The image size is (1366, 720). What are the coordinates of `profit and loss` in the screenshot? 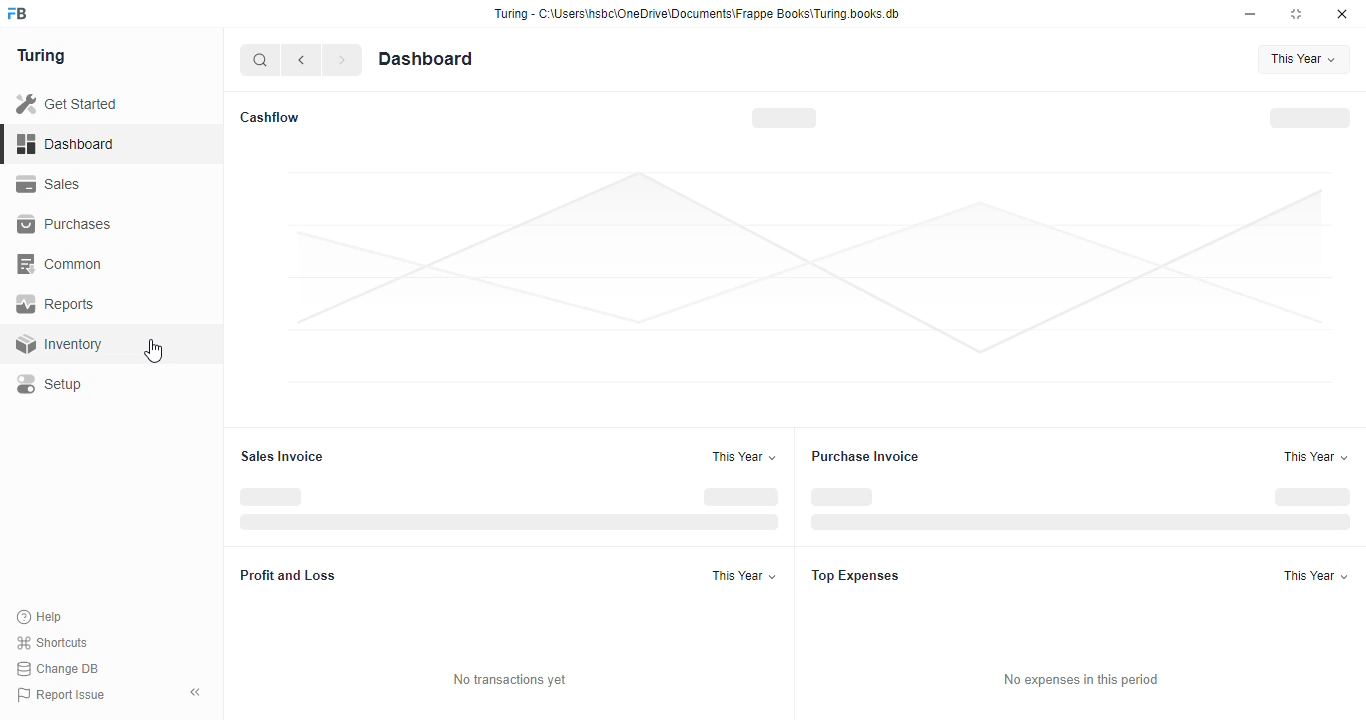 It's located at (288, 575).